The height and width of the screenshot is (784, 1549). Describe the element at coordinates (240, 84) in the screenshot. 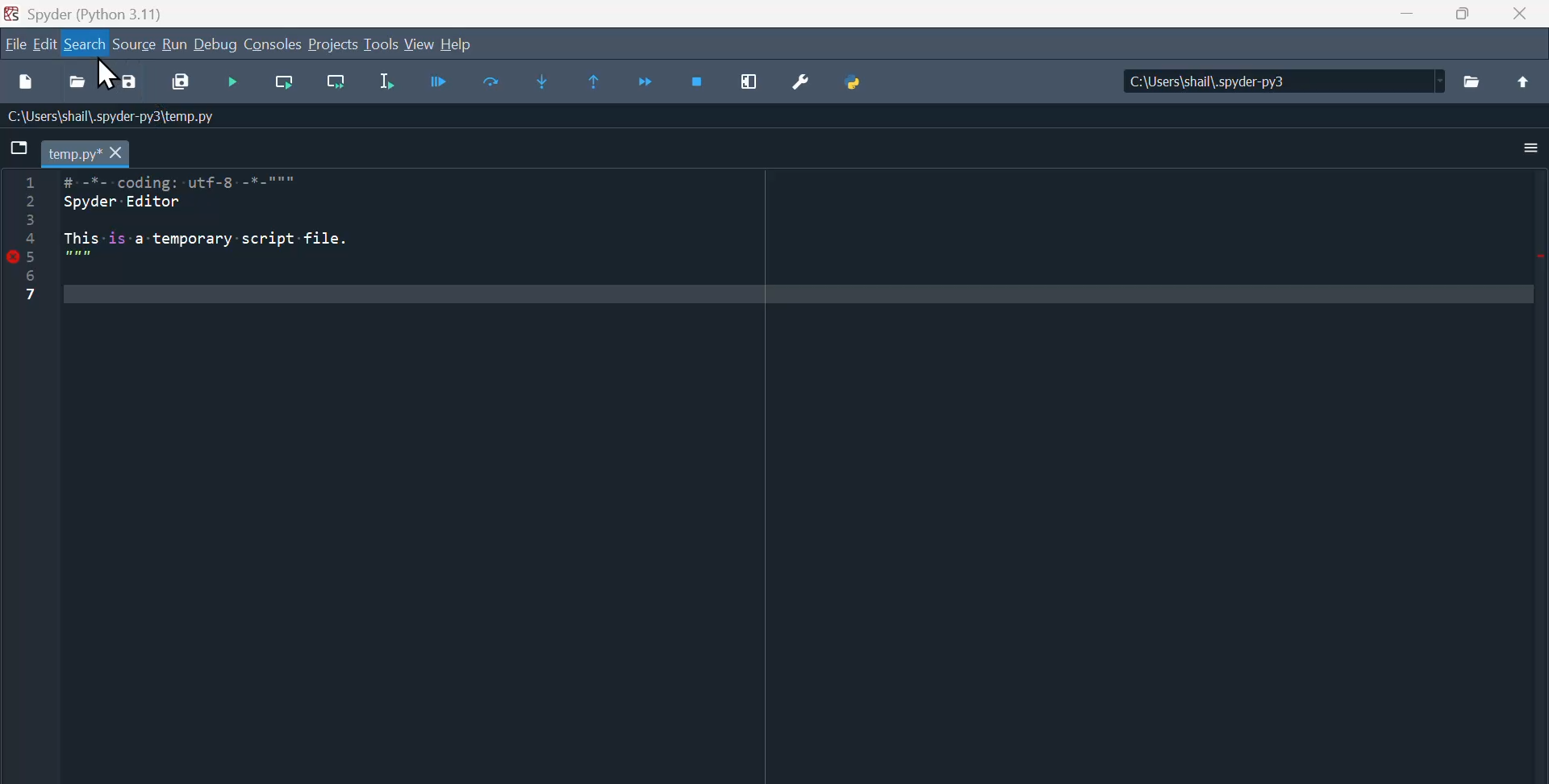

I see `Debug` at that location.